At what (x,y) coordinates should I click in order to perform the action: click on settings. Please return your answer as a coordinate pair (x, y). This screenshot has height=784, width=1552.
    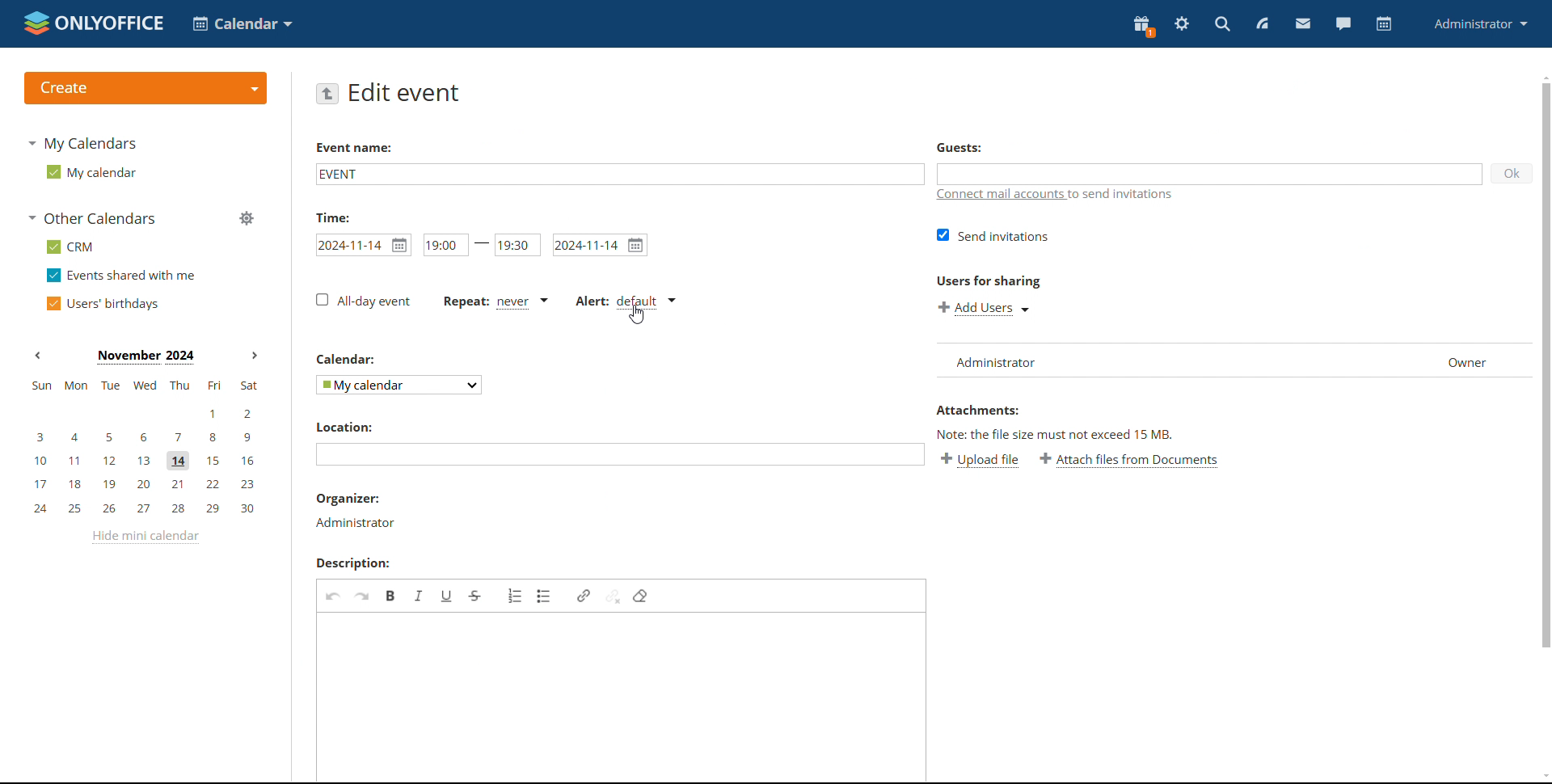
    Looking at the image, I should click on (1181, 24).